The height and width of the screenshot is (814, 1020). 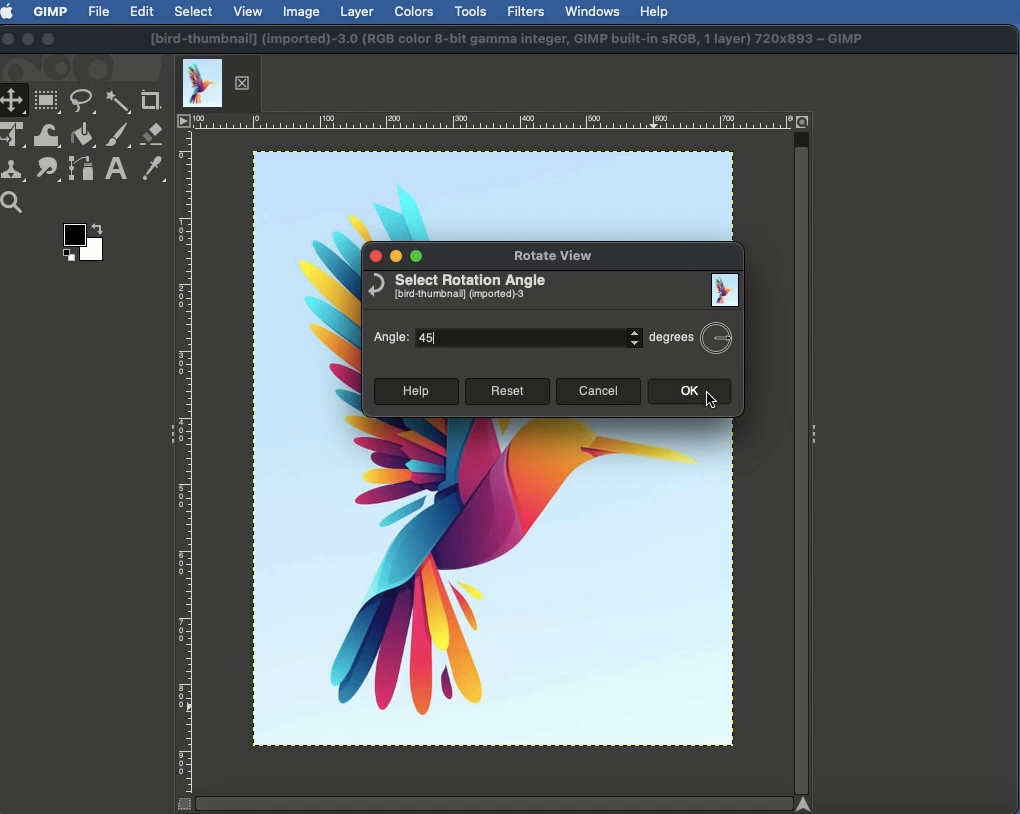 What do you see at coordinates (420, 255) in the screenshot?
I see `Maximize` at bounding box center [420, 255].